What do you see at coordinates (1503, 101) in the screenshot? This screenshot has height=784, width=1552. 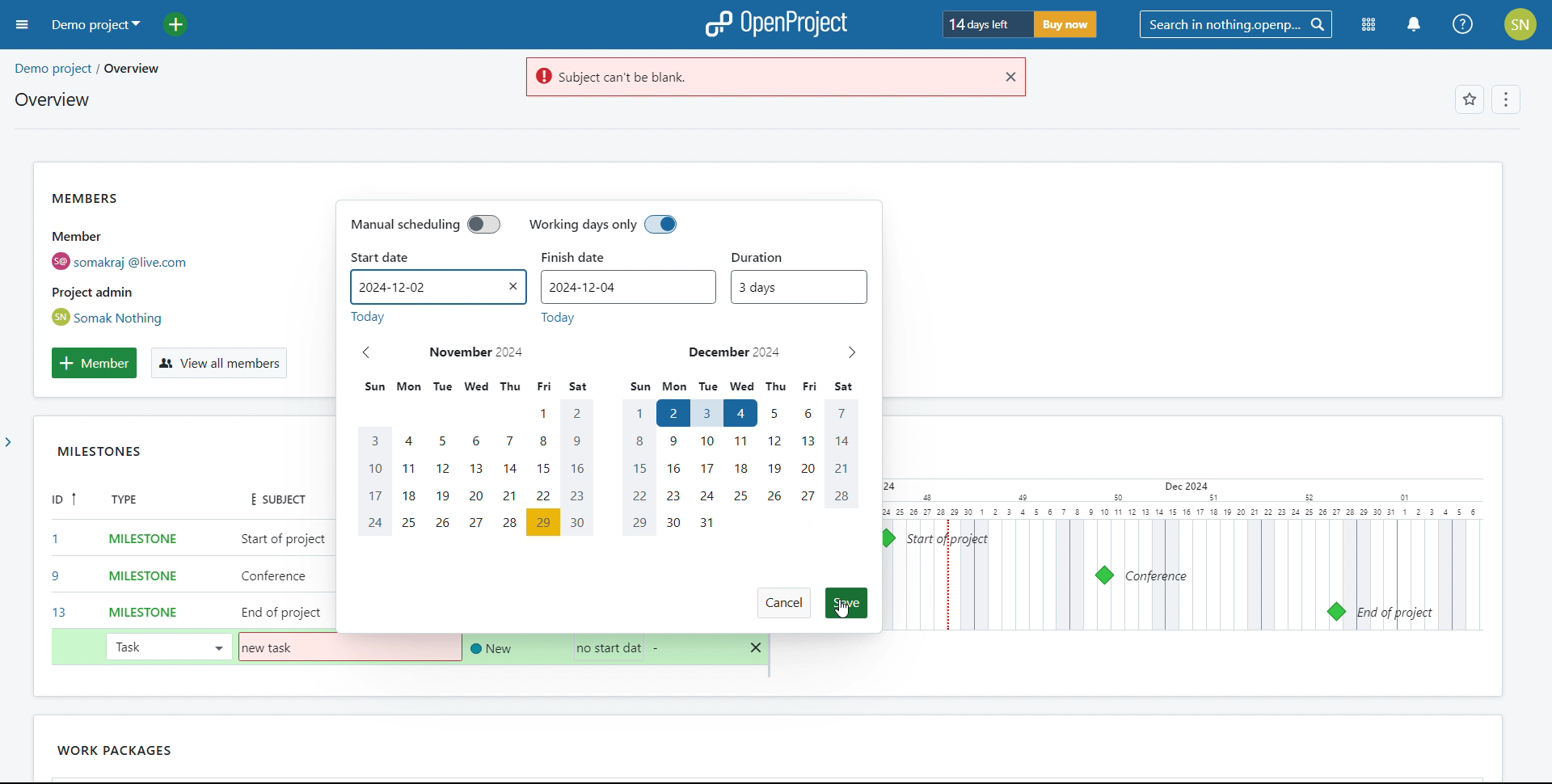 I see `options` at bounding box center [1503, 101].